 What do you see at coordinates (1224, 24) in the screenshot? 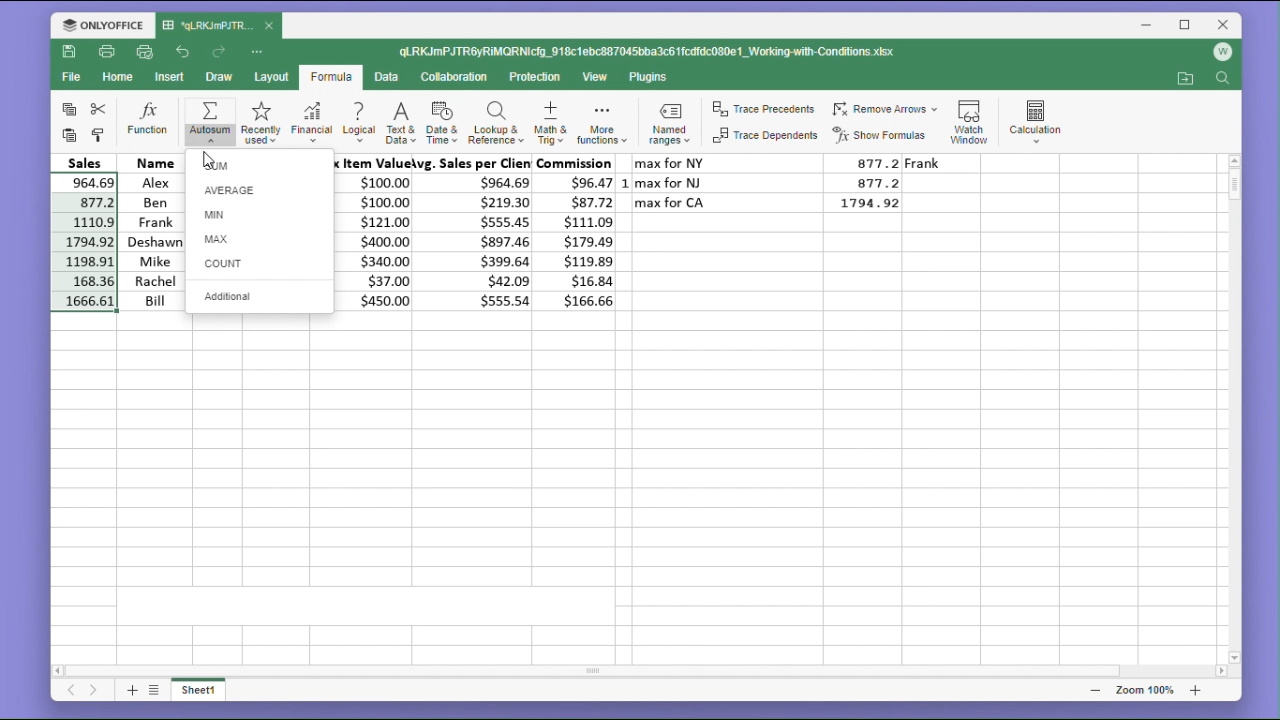
I see `close` at bounding box center [1224, 24].